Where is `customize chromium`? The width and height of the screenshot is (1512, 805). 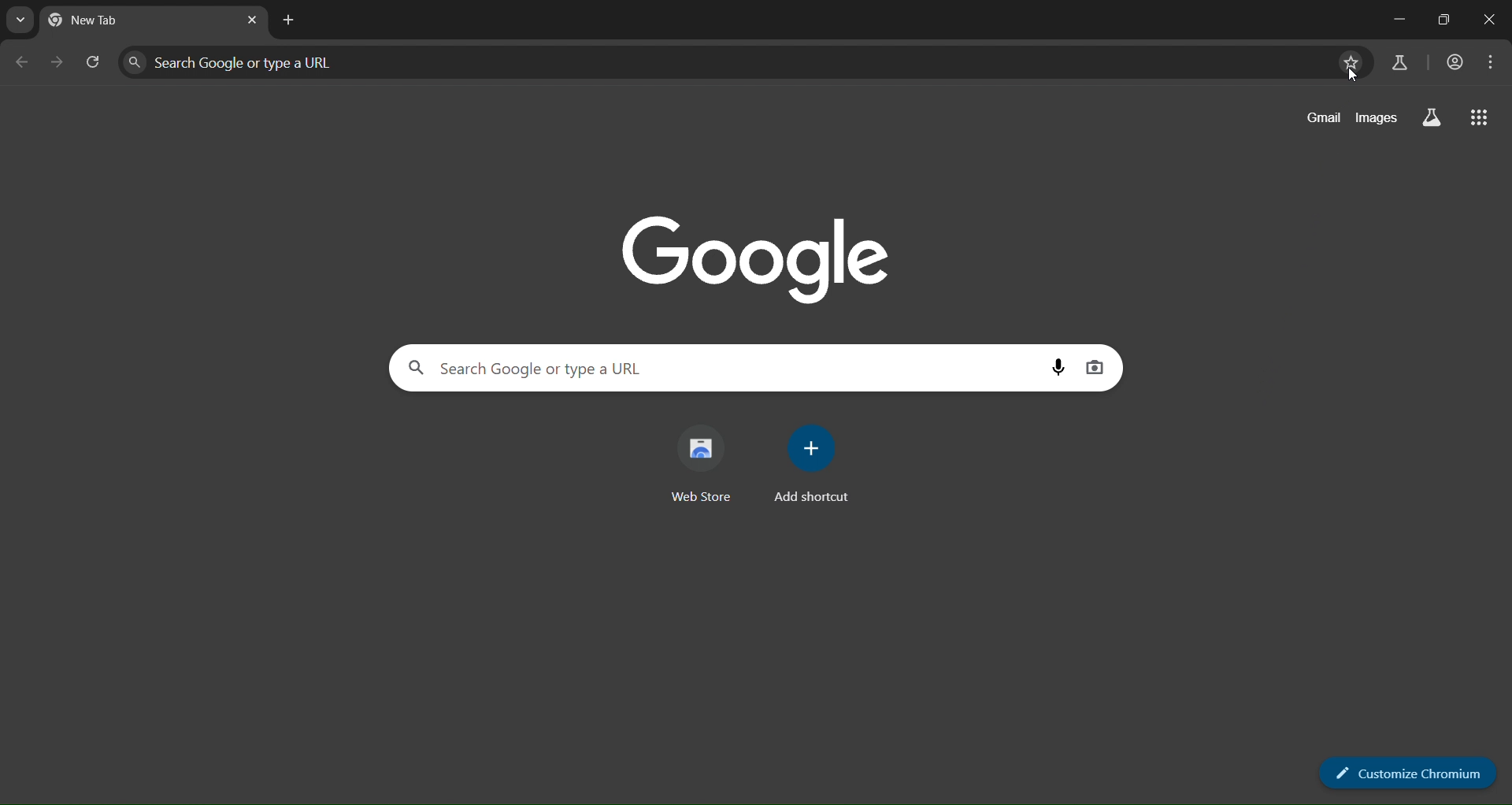
customize chromium is located at coordinates (1402, 773).